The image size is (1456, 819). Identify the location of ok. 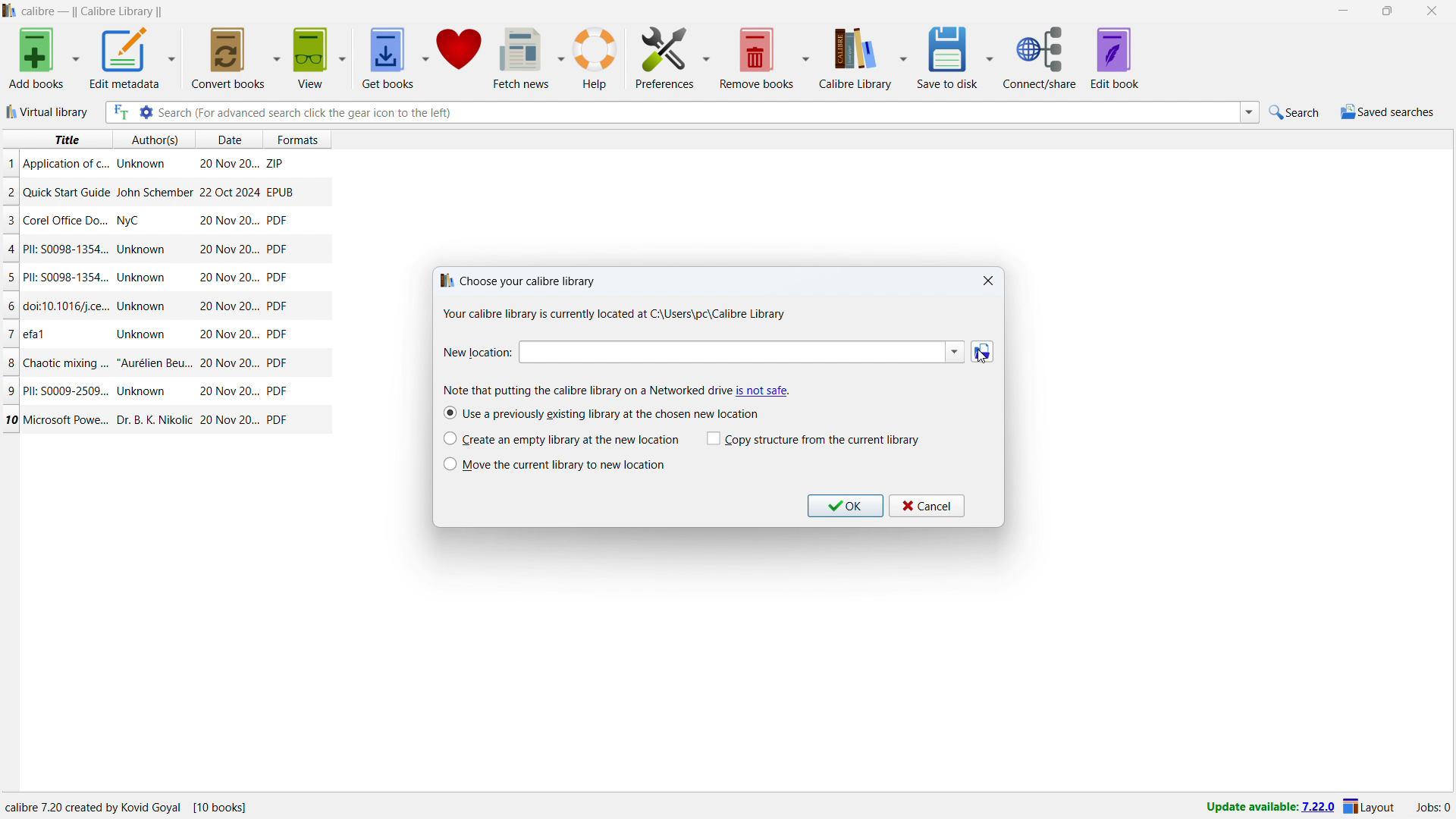
(845, 506).